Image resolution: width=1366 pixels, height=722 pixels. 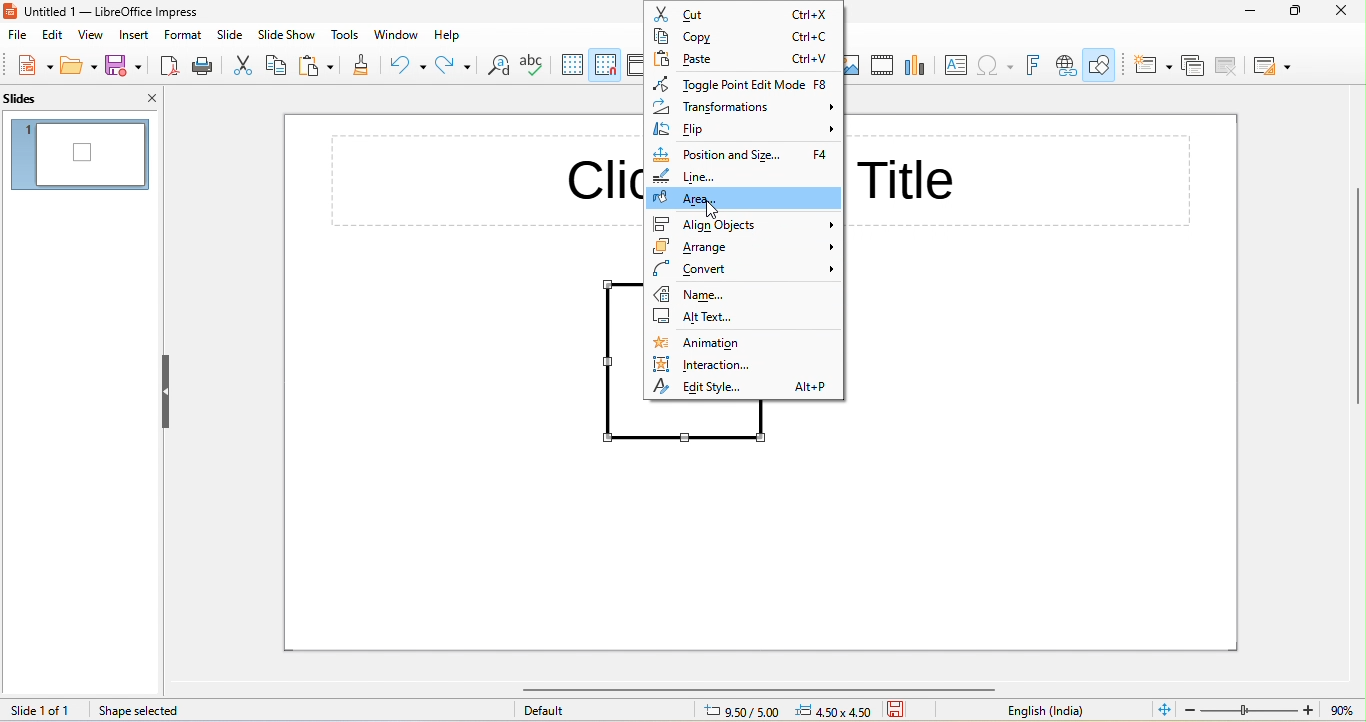 I want to click on help, so click(x=449, y=35).